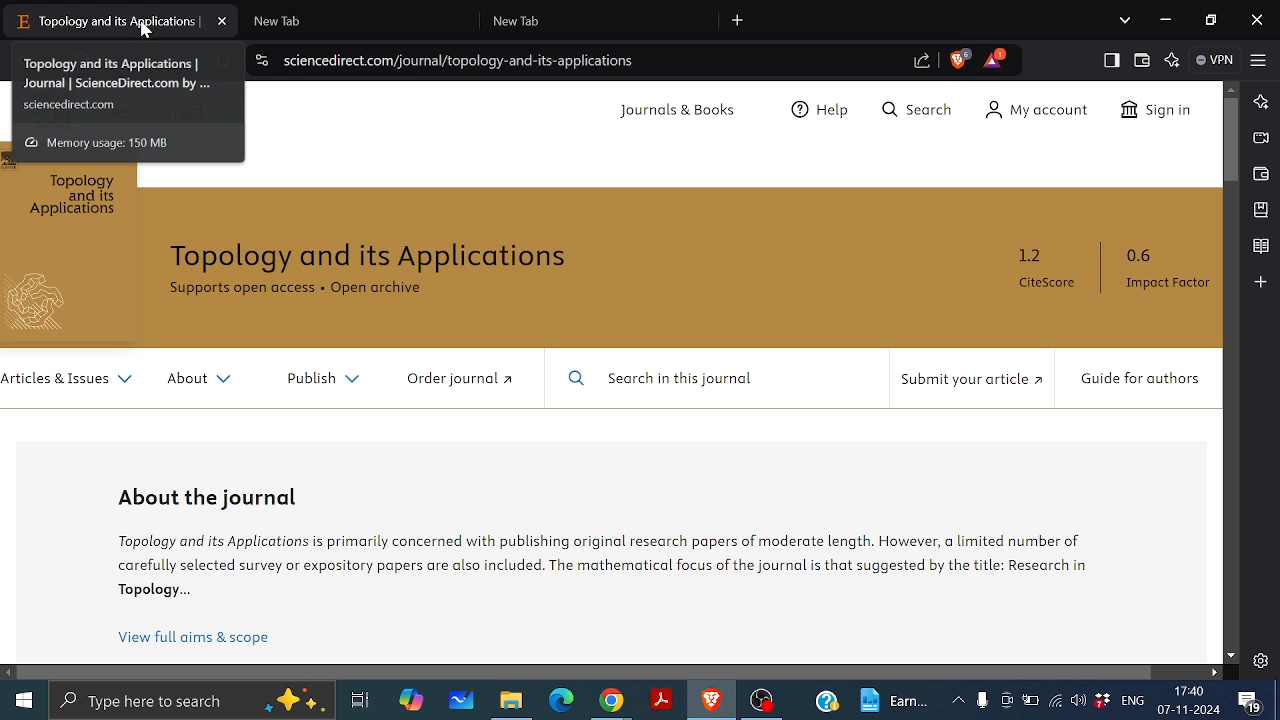  Describe the element at coordinates (1231, 655) in the screenshot. I see `Move down` at that location.